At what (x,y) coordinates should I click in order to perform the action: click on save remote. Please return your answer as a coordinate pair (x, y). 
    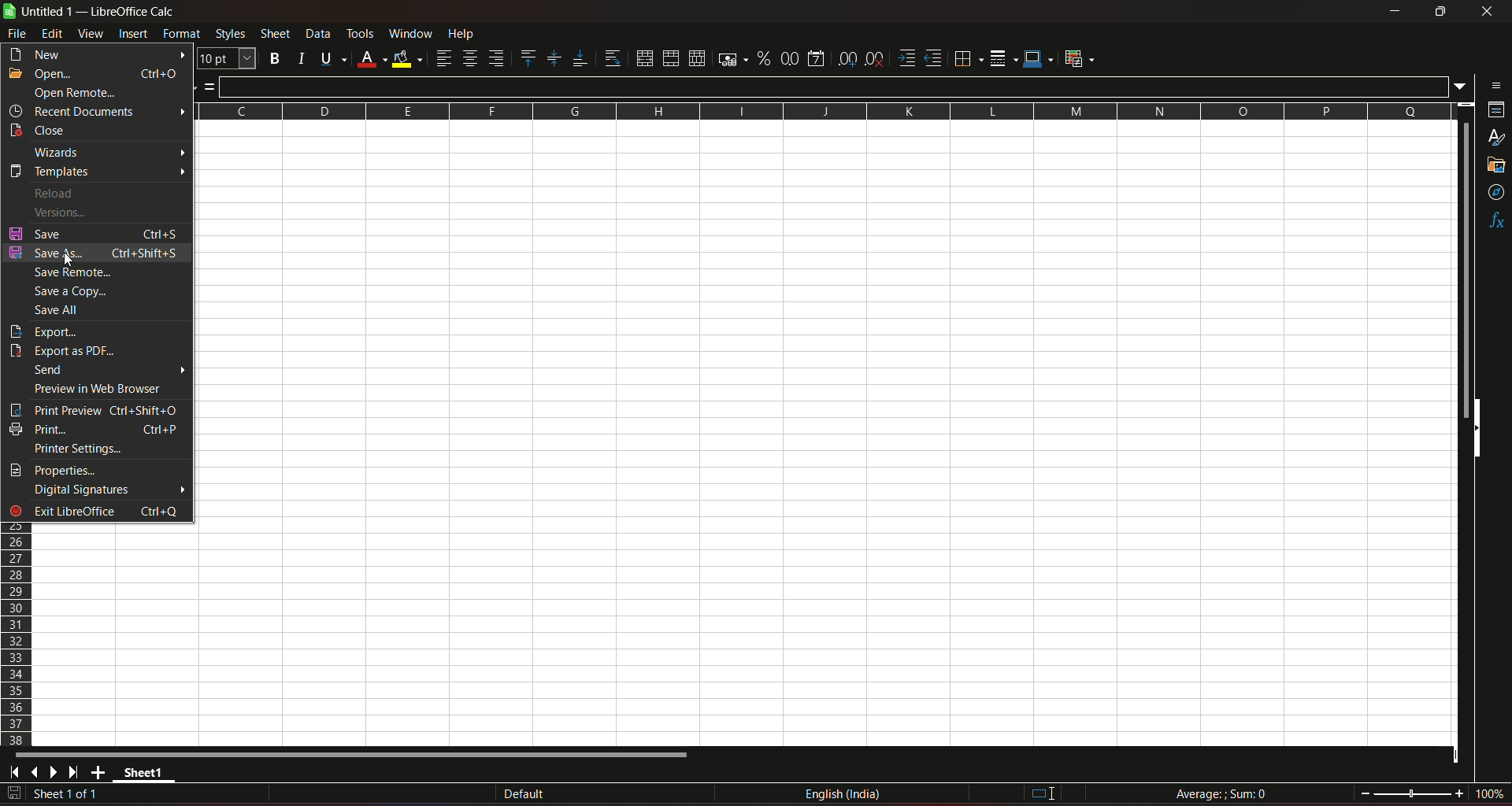
    Looking at the image, I should click on (74, 274).